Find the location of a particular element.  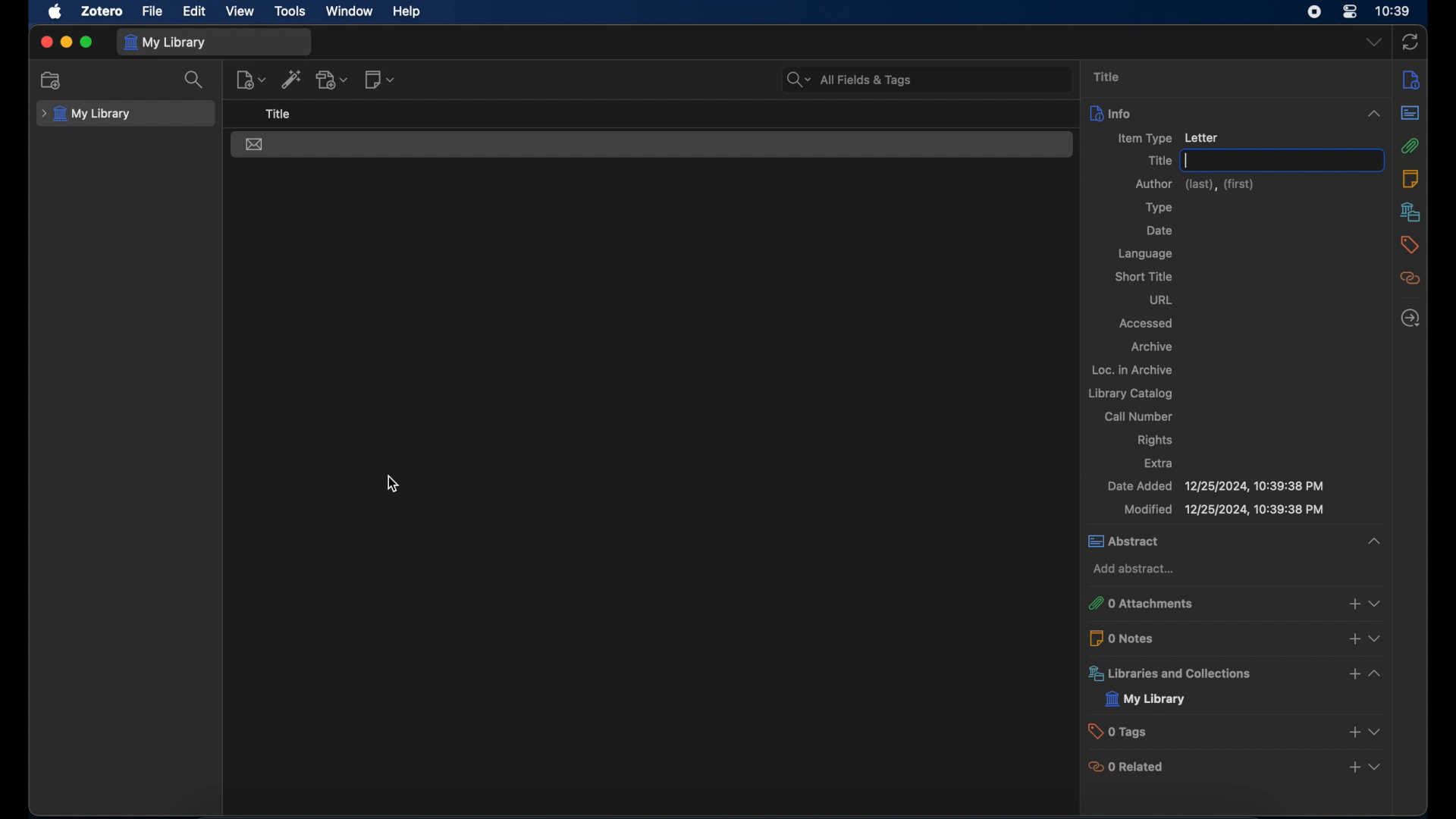

view more is located at coordinates (1376, 673).